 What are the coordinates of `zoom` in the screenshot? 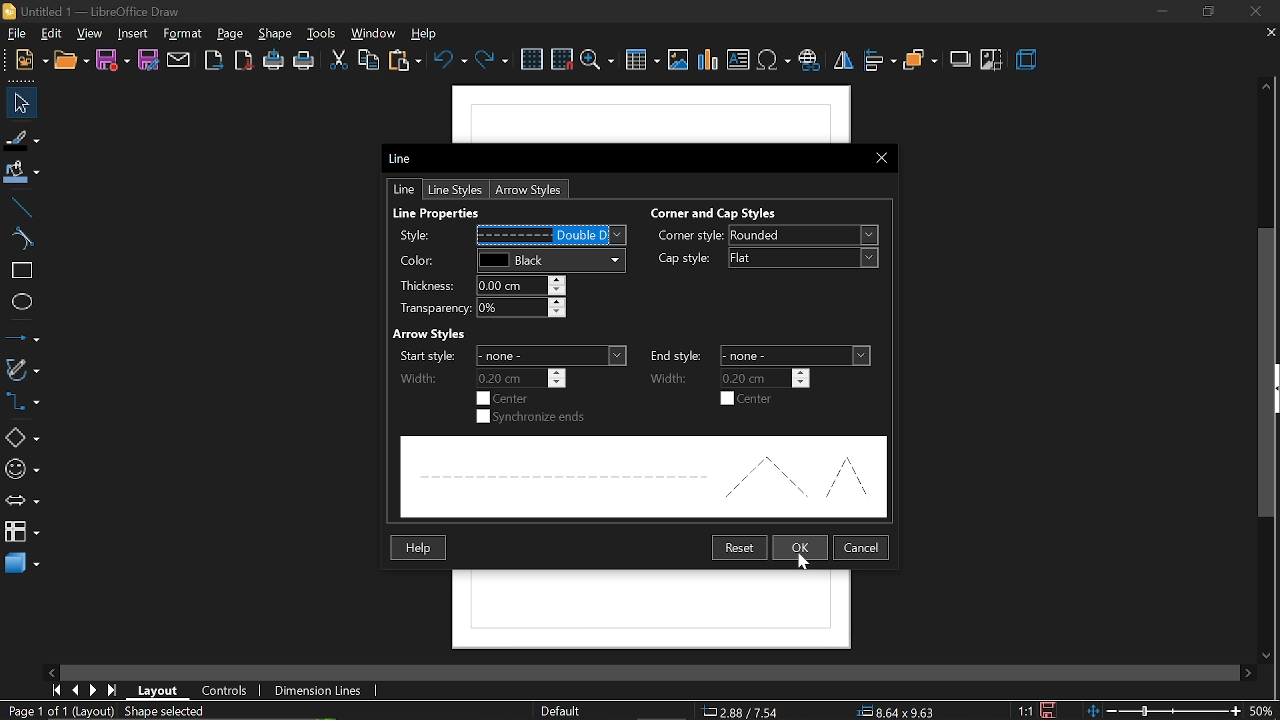 It's located at (598, 60).